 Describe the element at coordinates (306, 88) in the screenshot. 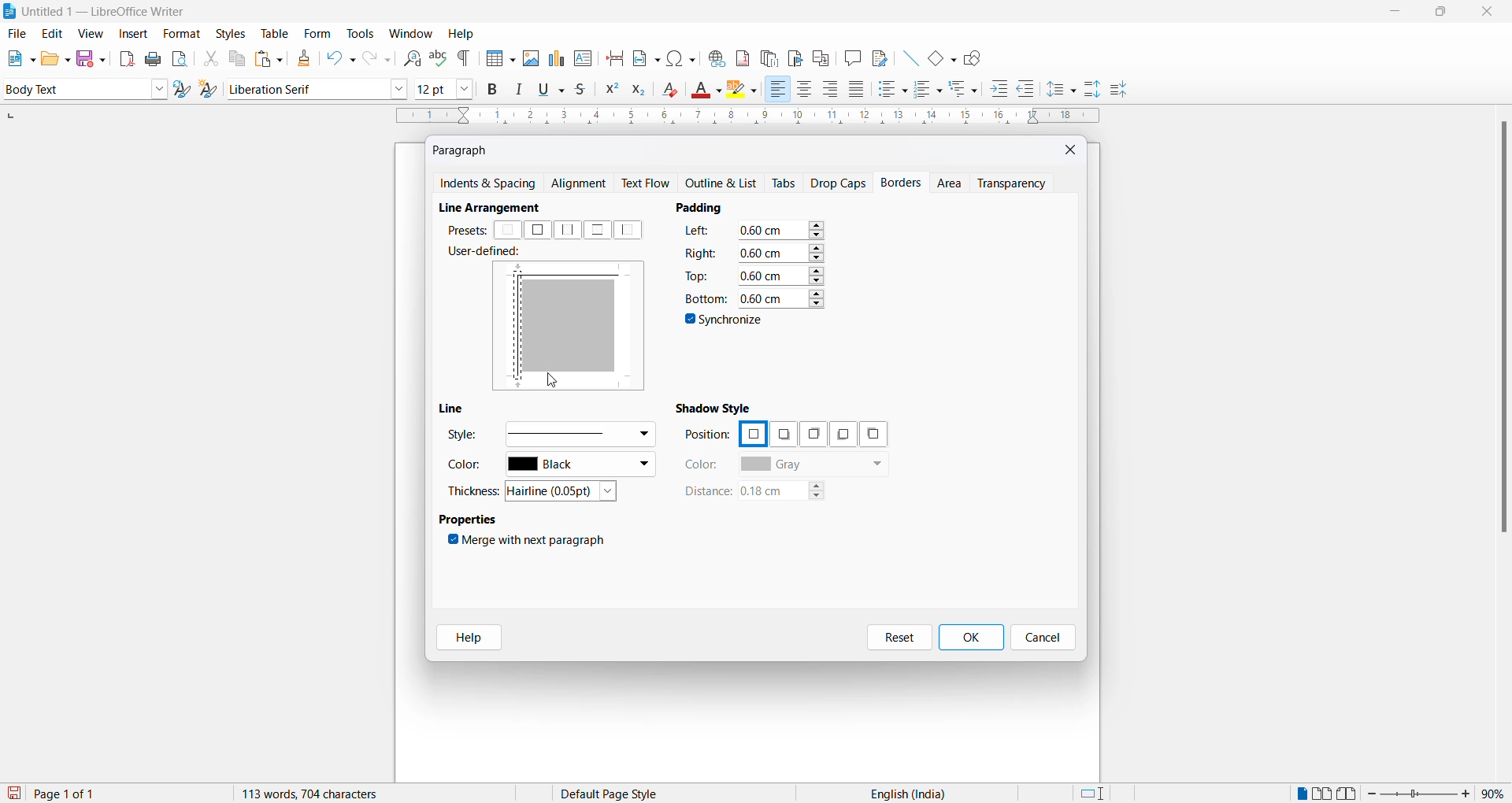

I see `font name` at that location.